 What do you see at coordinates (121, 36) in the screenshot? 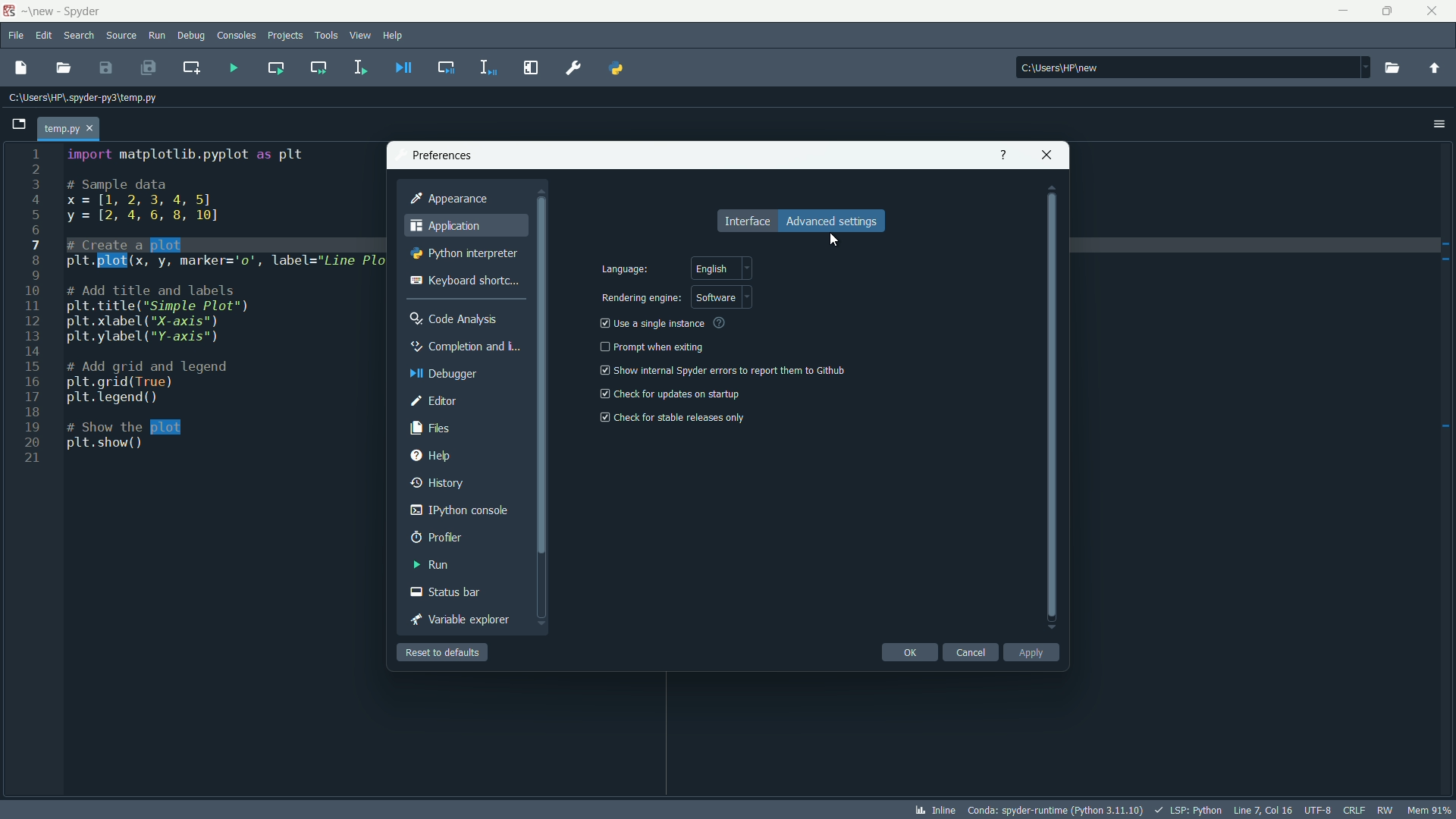
I see `source` at bounding box center [121, 36].